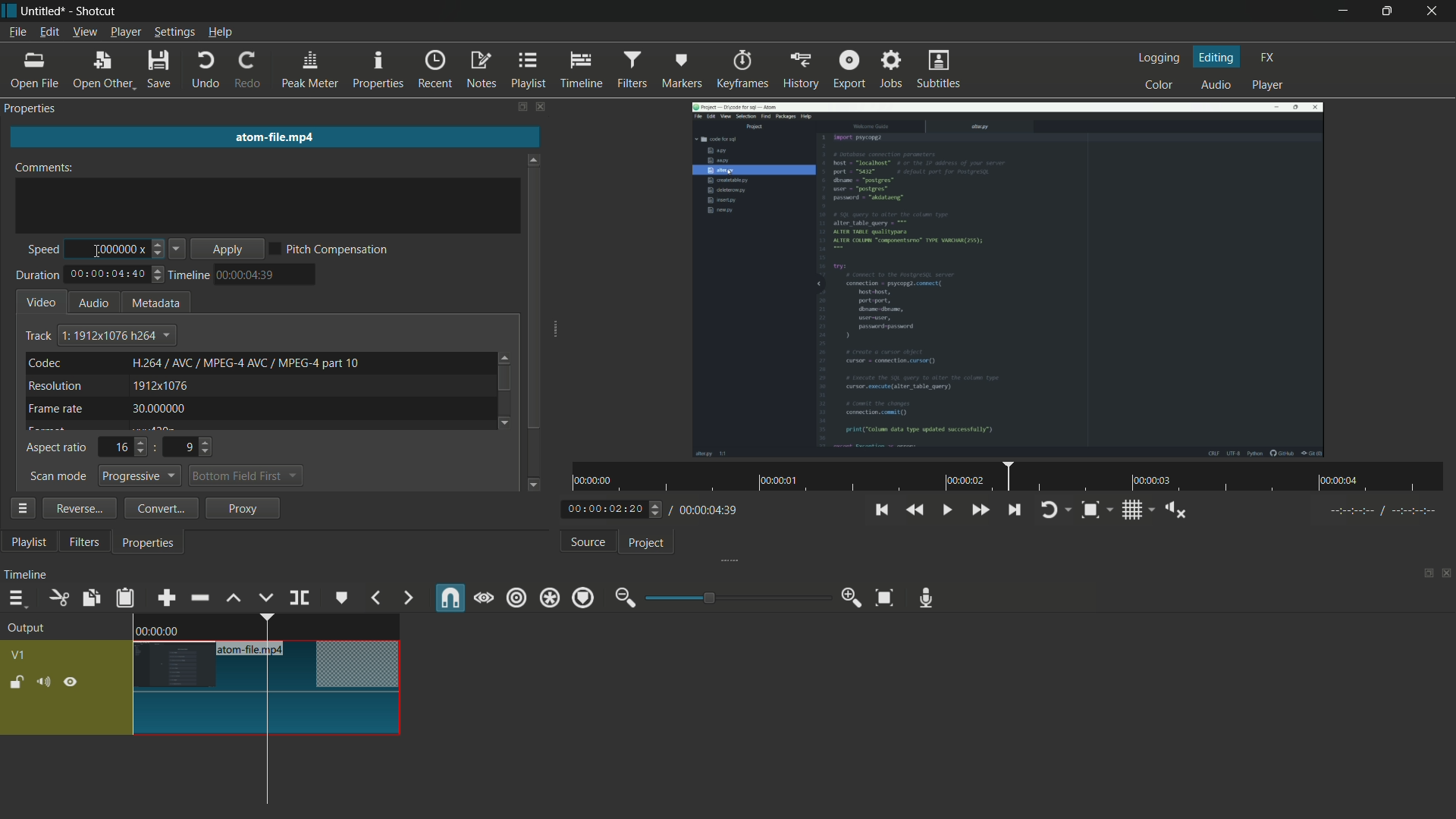 The height and width of the screenshot is (819, 1456). I want to click on bottom field first, so click(235, 475).